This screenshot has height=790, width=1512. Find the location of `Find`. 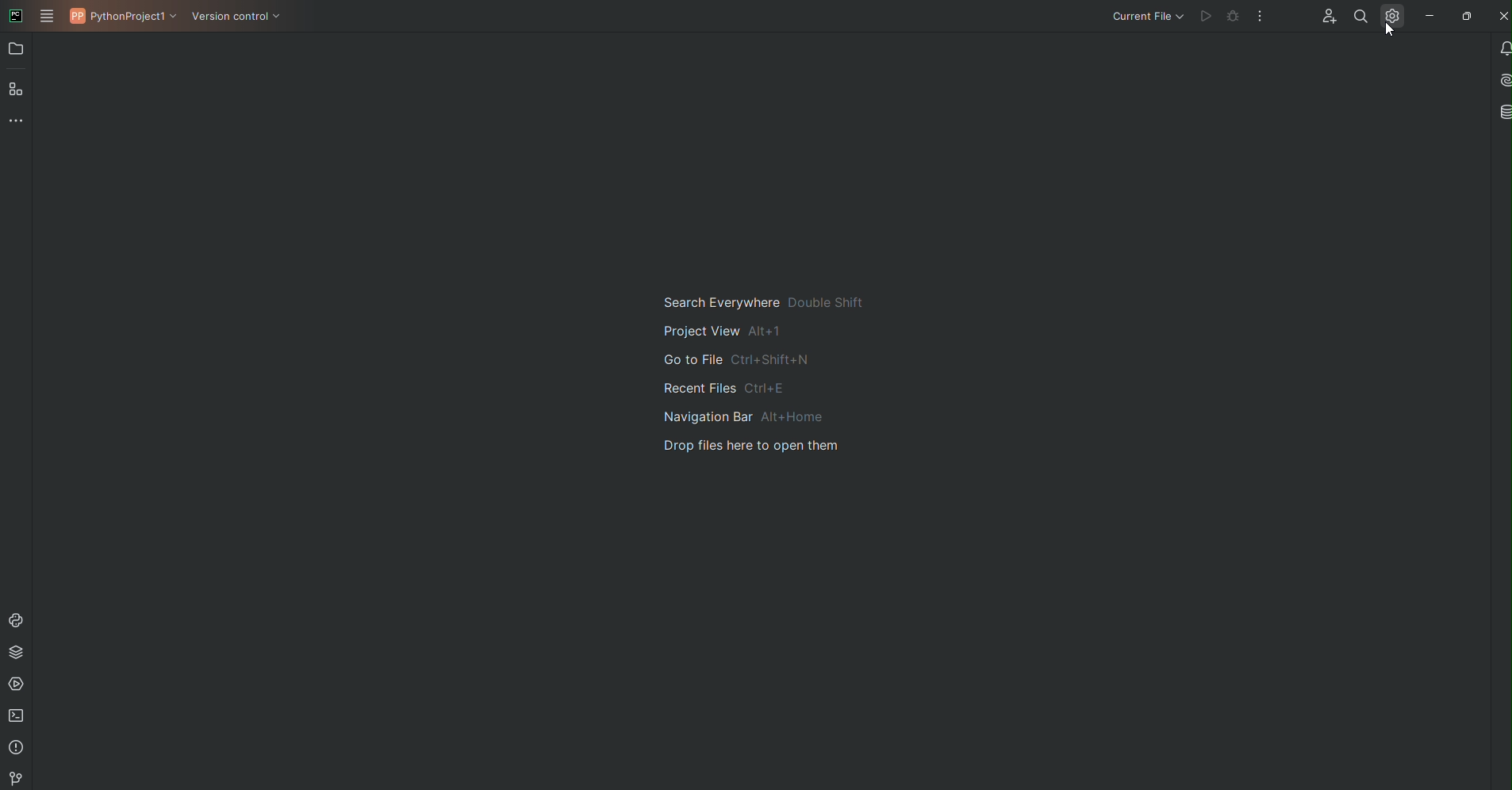

Find is located at coordinates (1357, 15).